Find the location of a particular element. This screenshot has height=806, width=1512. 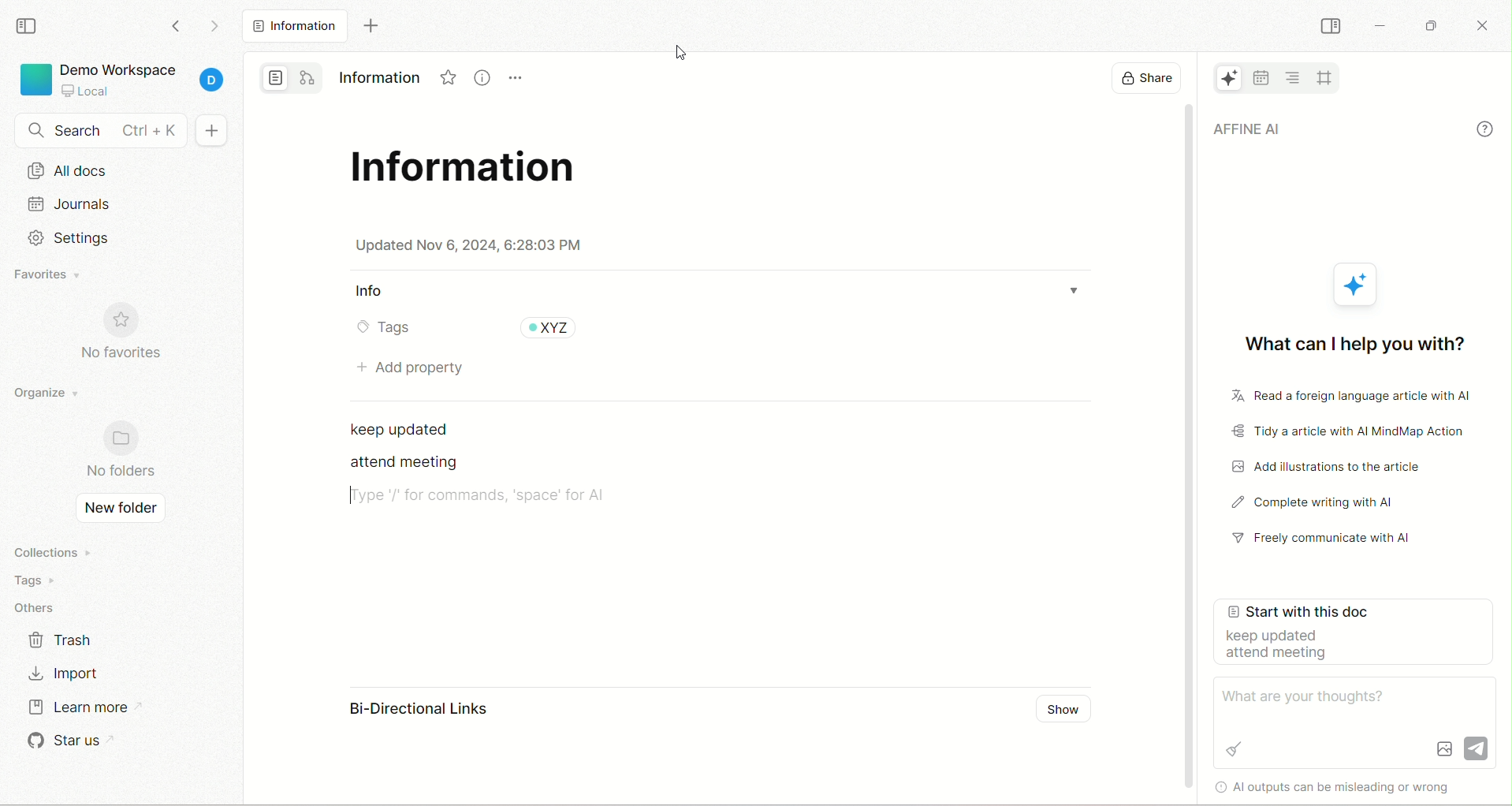

others is located at coordinates (39, 605).